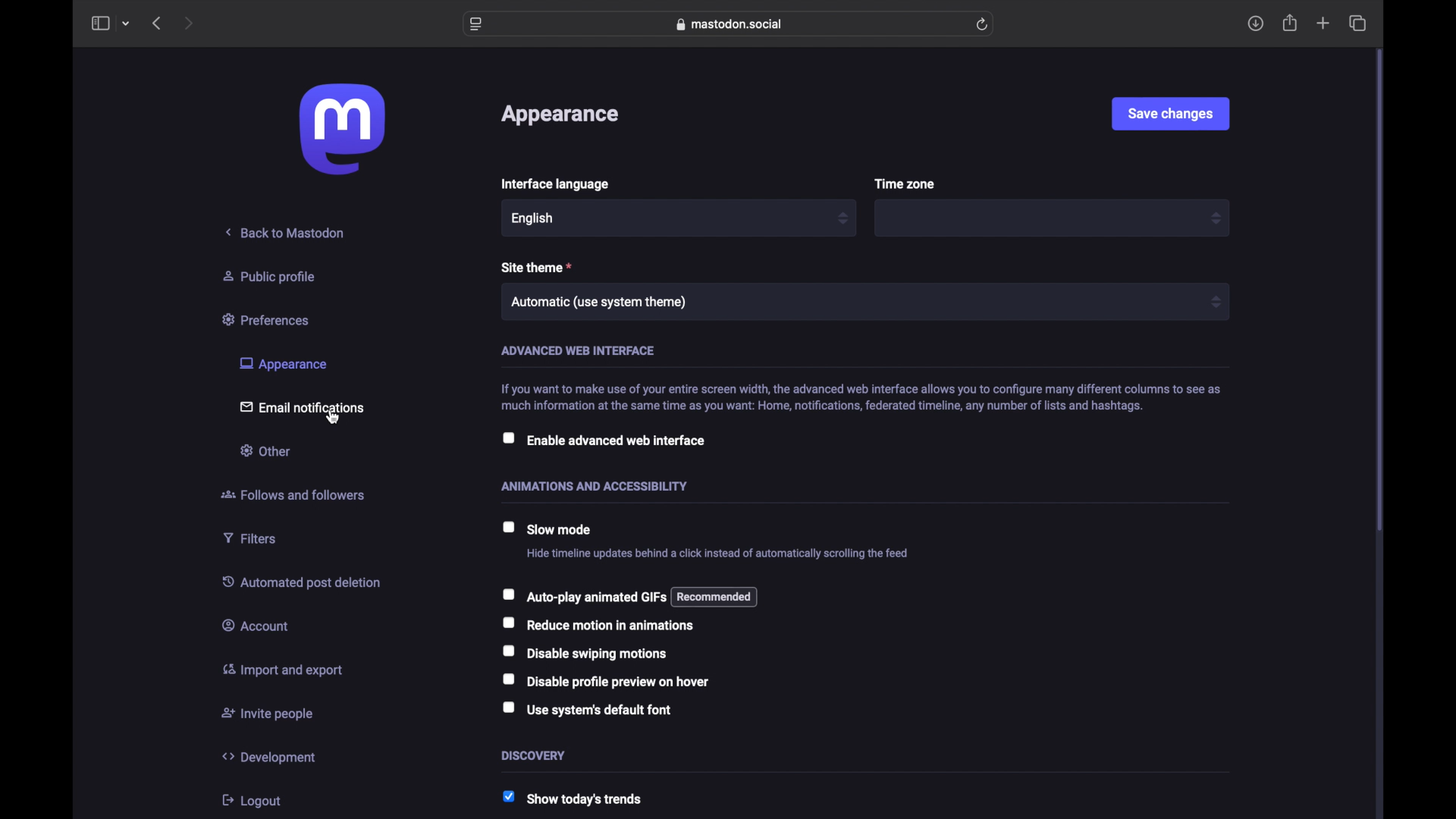  Describe the element at coordinates (293, 494) in the screenshot. I see `follows and followers` at that location.